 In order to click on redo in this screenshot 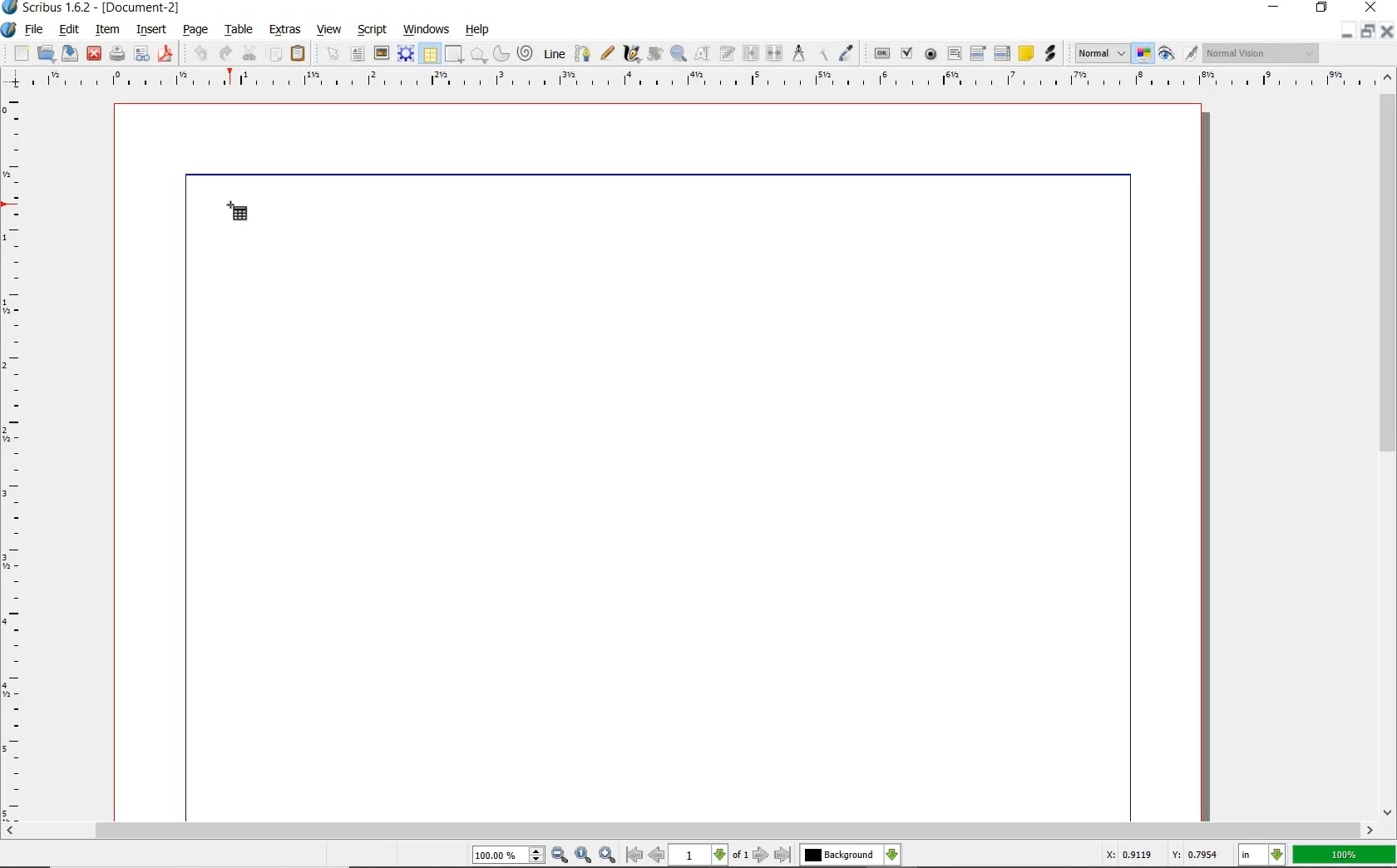, I will do `click(223, 52)`.